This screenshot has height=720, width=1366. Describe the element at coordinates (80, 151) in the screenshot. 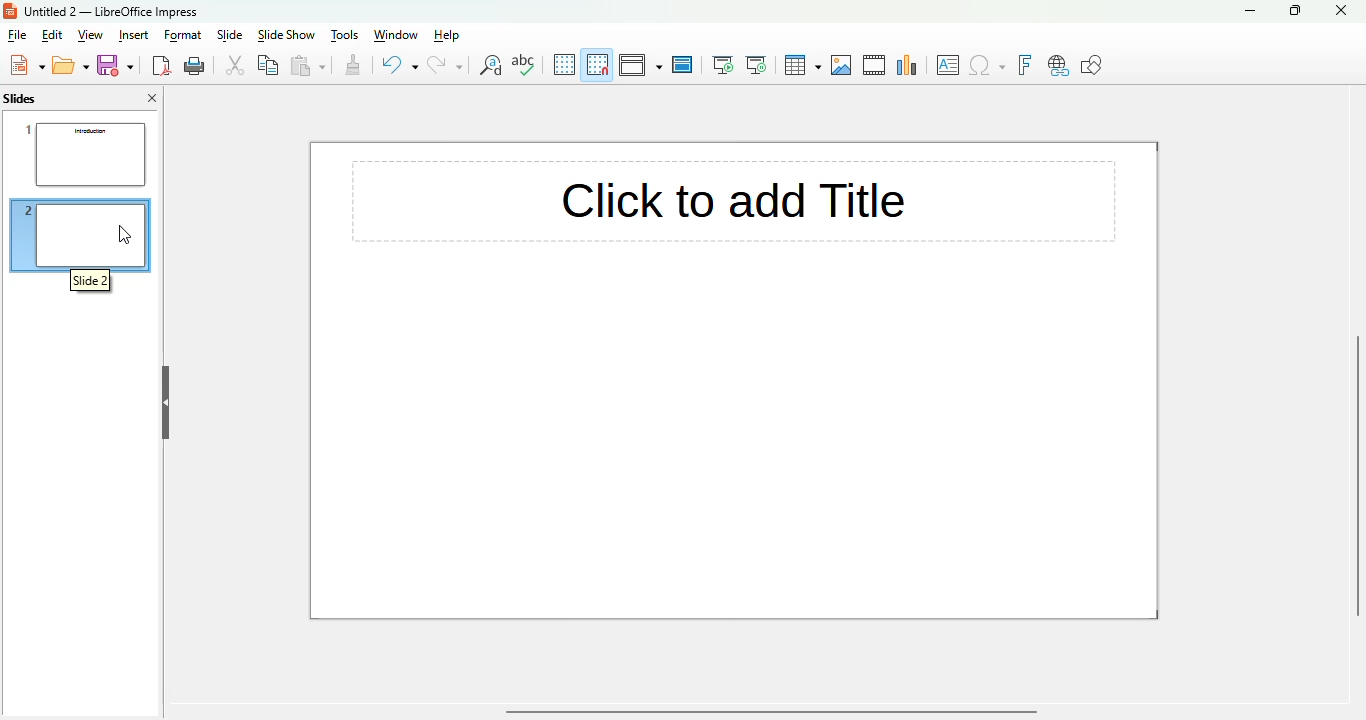

I see `slide 1 selected` at that location.